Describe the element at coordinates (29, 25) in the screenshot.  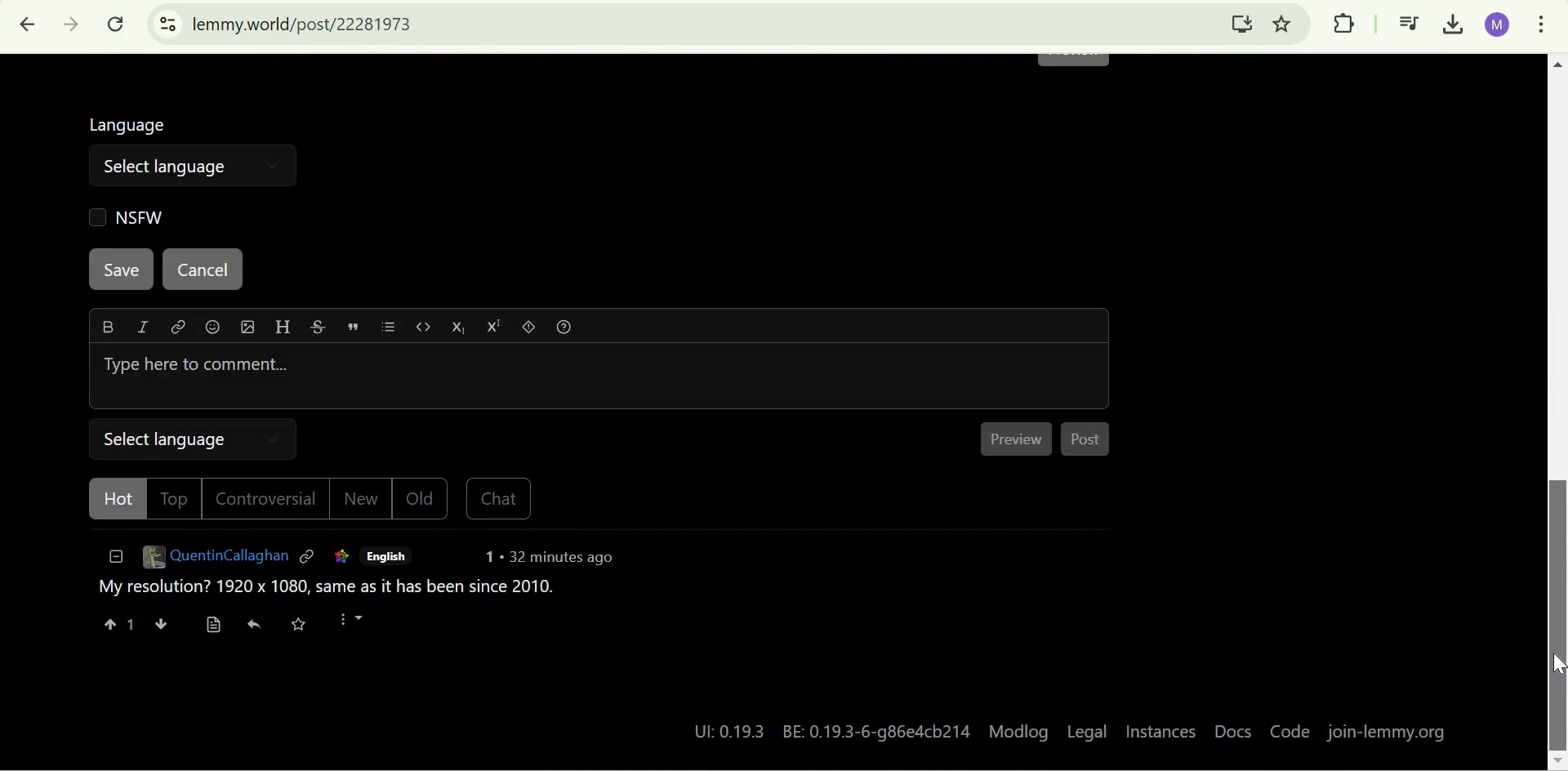
I see `Click to go back, hold to see history` at that location.